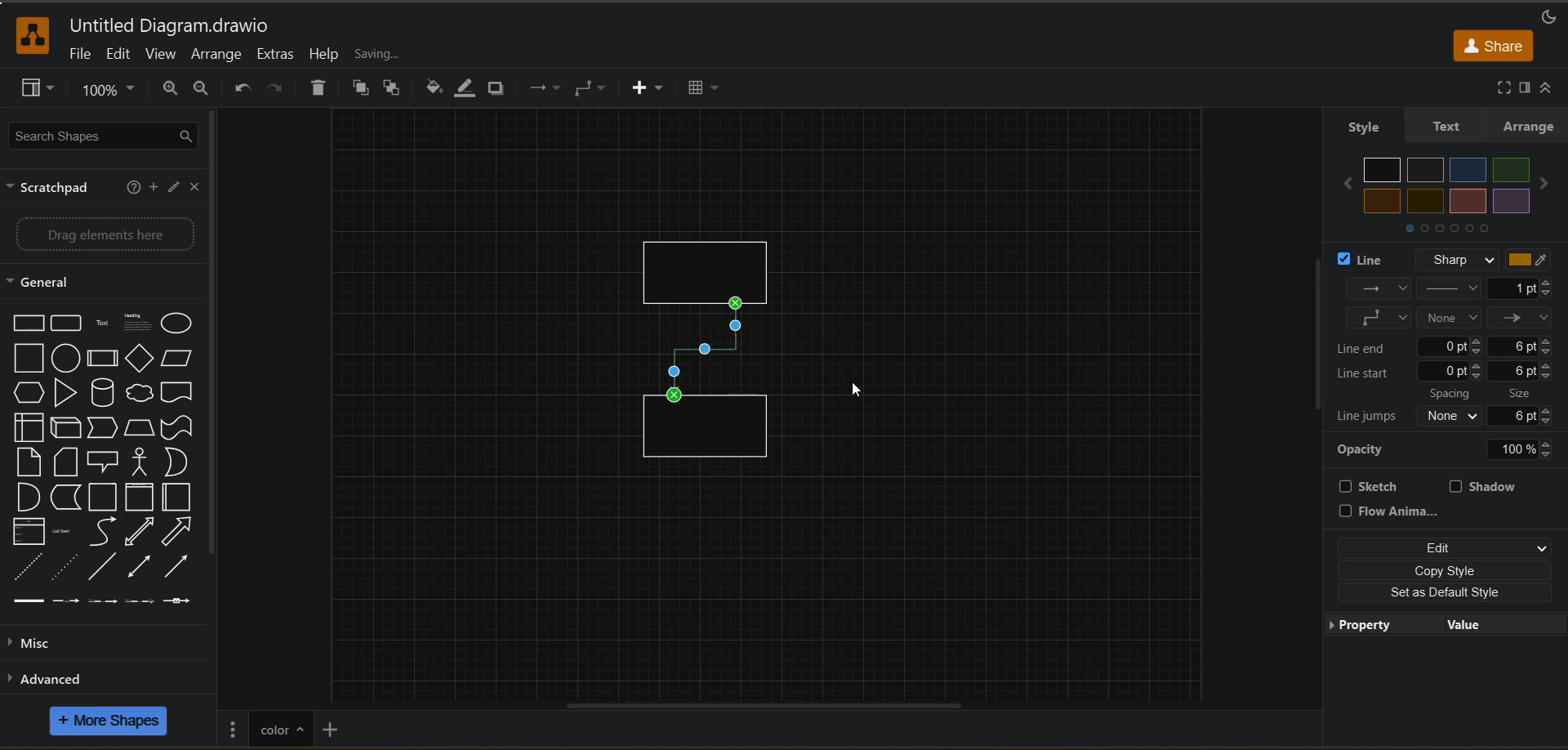 The height and width of the screenshot is (750, 1568). Describe the element at coordinates (180, 498) in the screenshot. I see `Horizontal Container` at that location.